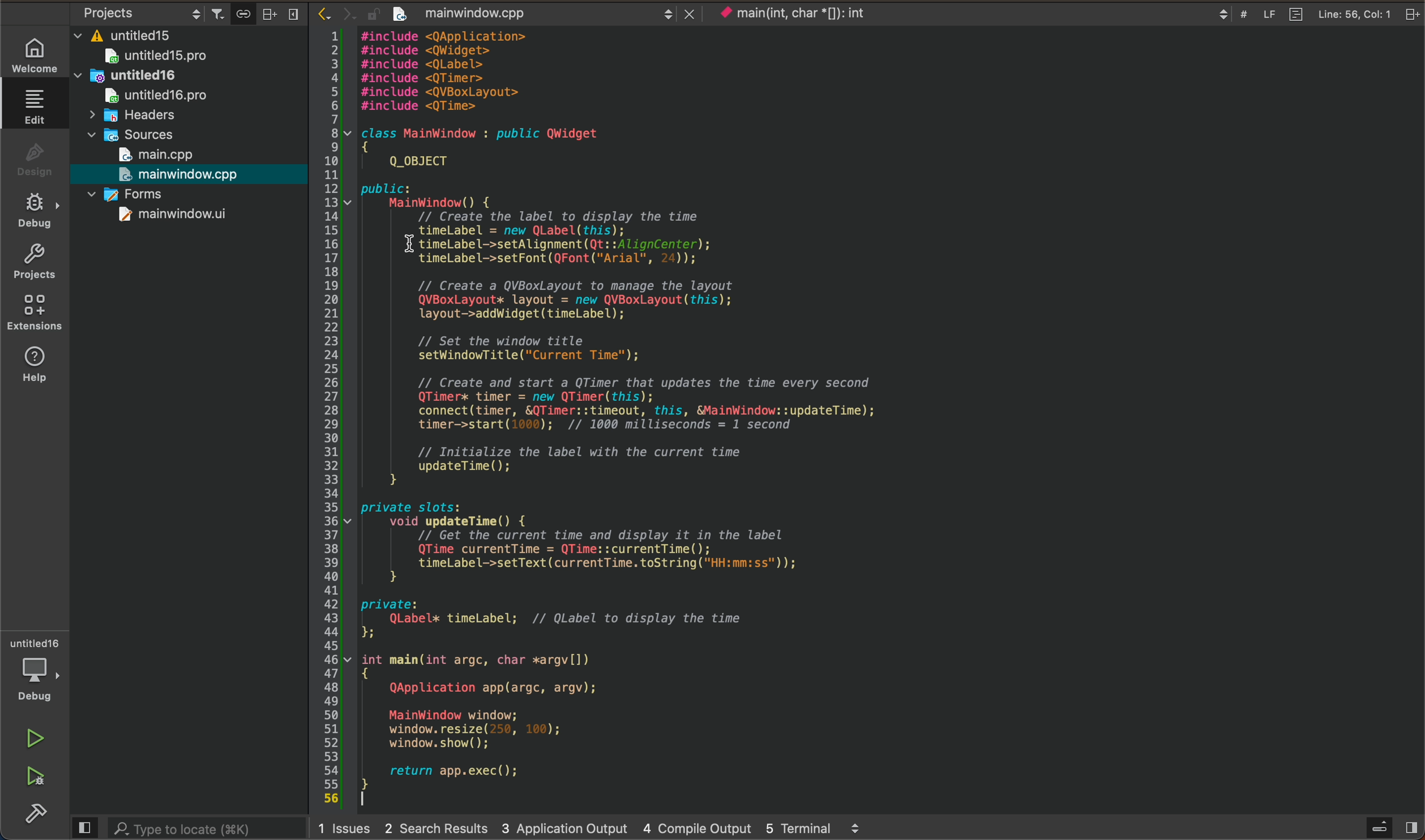 This screenshot has height=840, width=1425. Describe the element at coordinates (34, 263) in the screenshot. I see `projects` at that location.